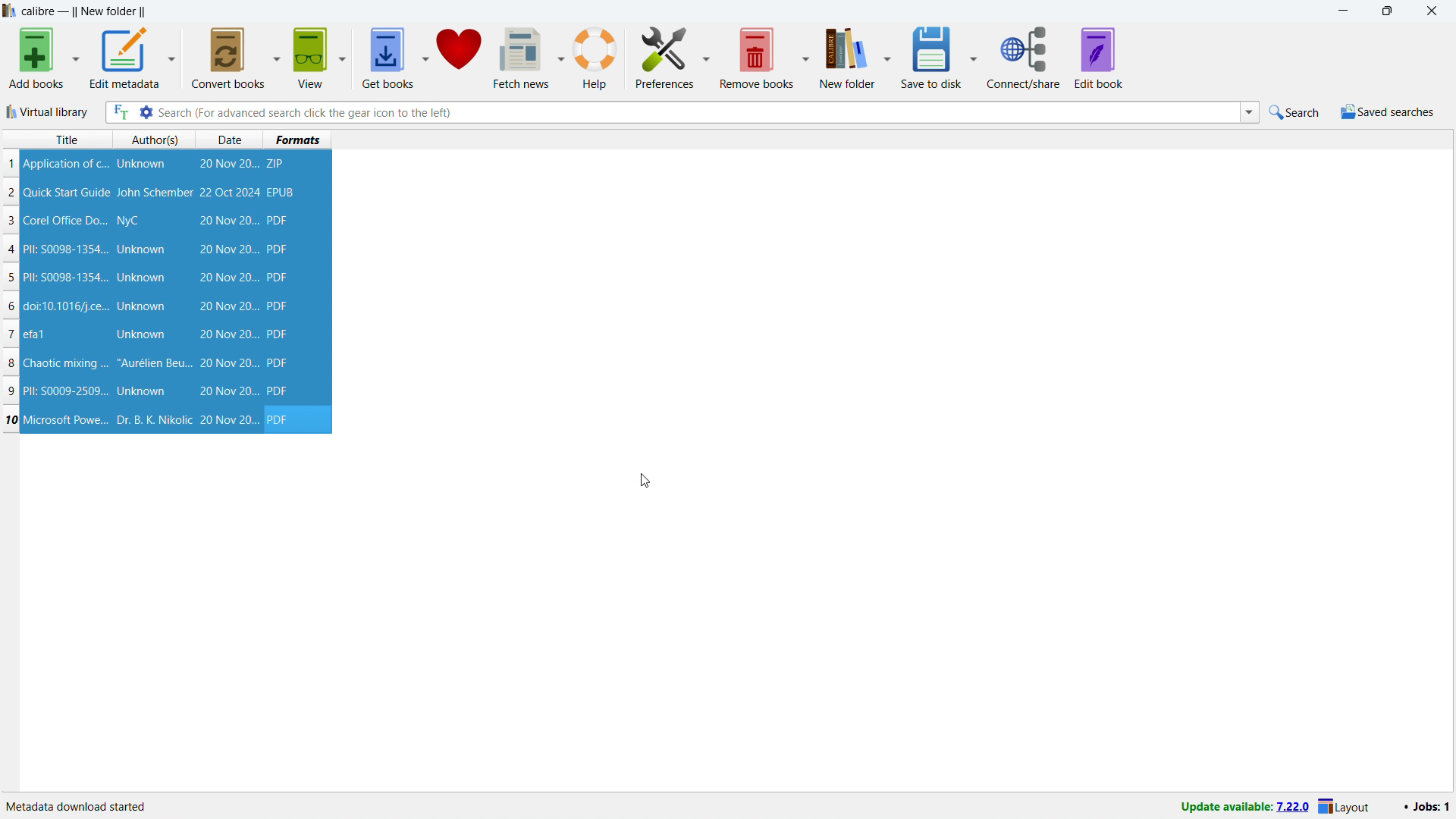 The width and height of the screenshot is (1456, 819). I want to click on 20 Nov 20..., so click(227, 334).